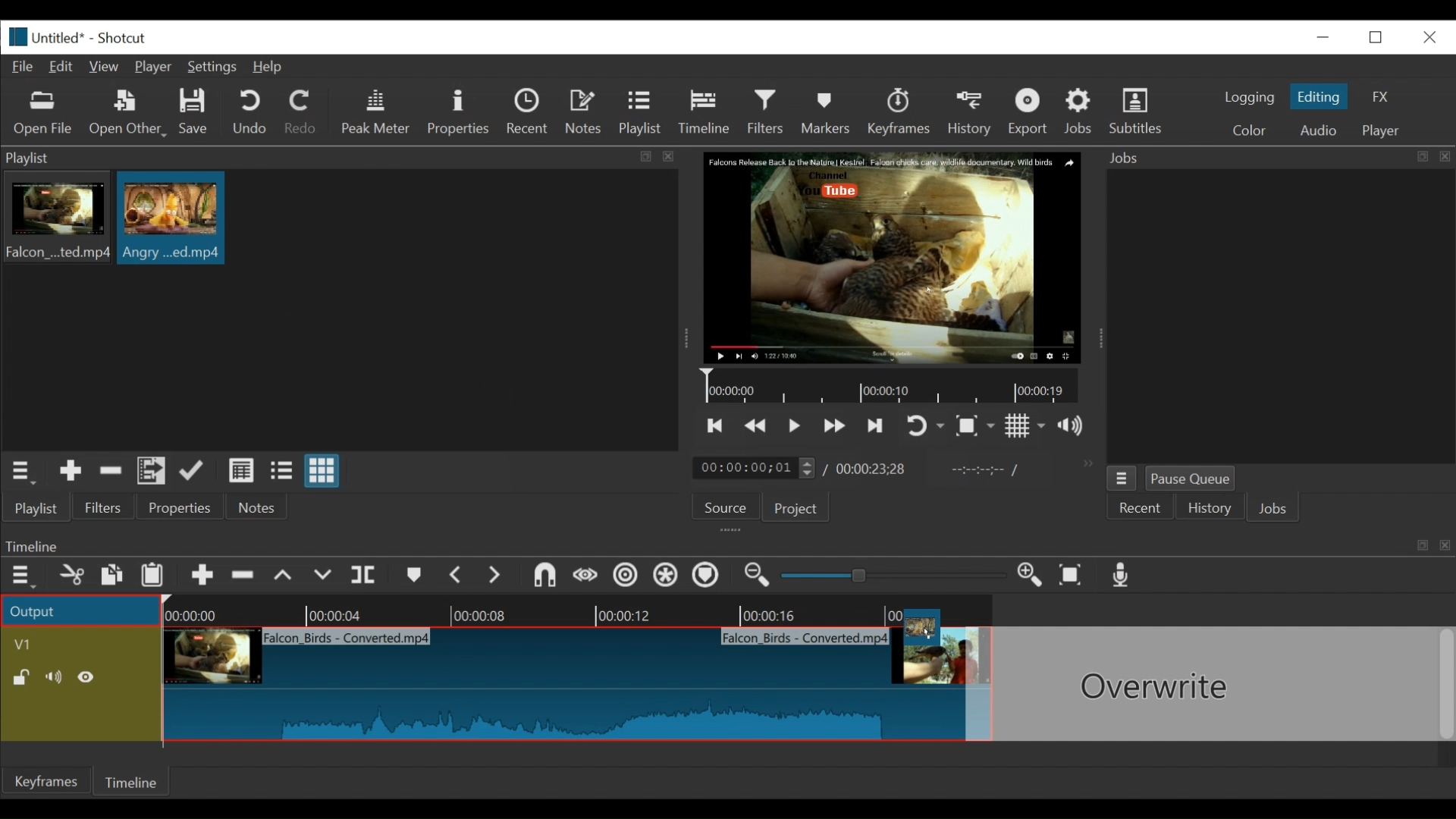  What do you see at coordinates (257, 507) in the screenshot?
I see `Notes` at bounding box center [257, 507].